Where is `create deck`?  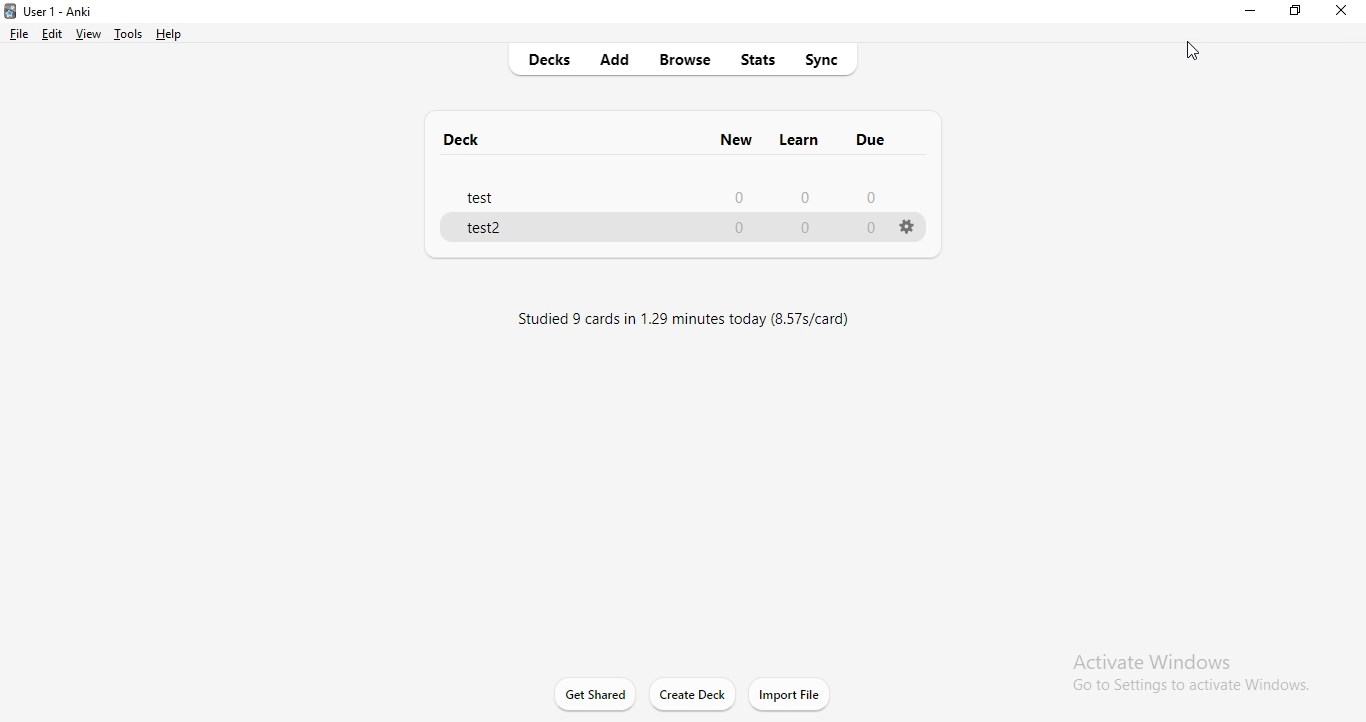 create deck is located at coordinates (695, 696).